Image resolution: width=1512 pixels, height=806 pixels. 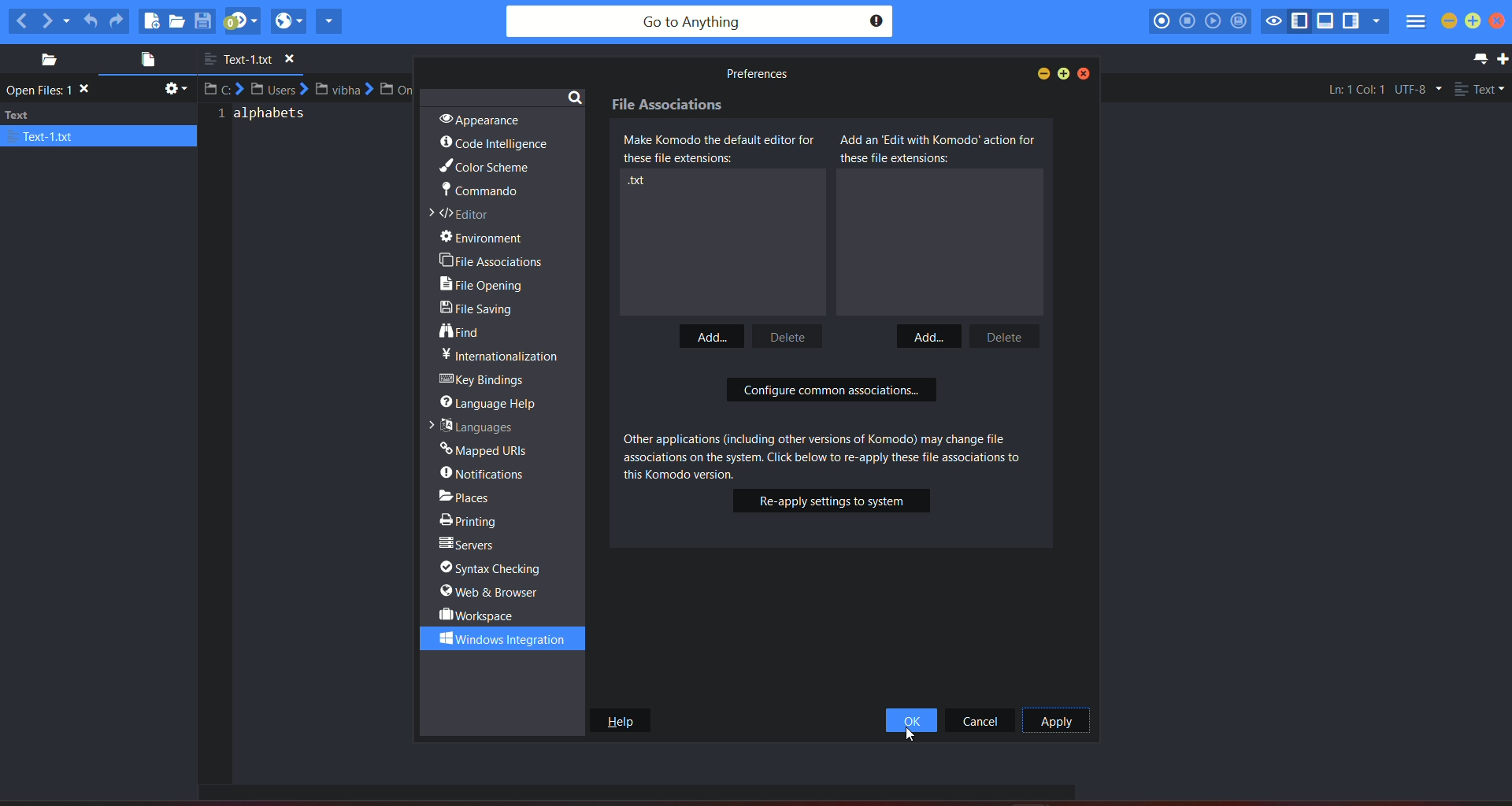 I want to click on languages, so click(x=469, y=425).